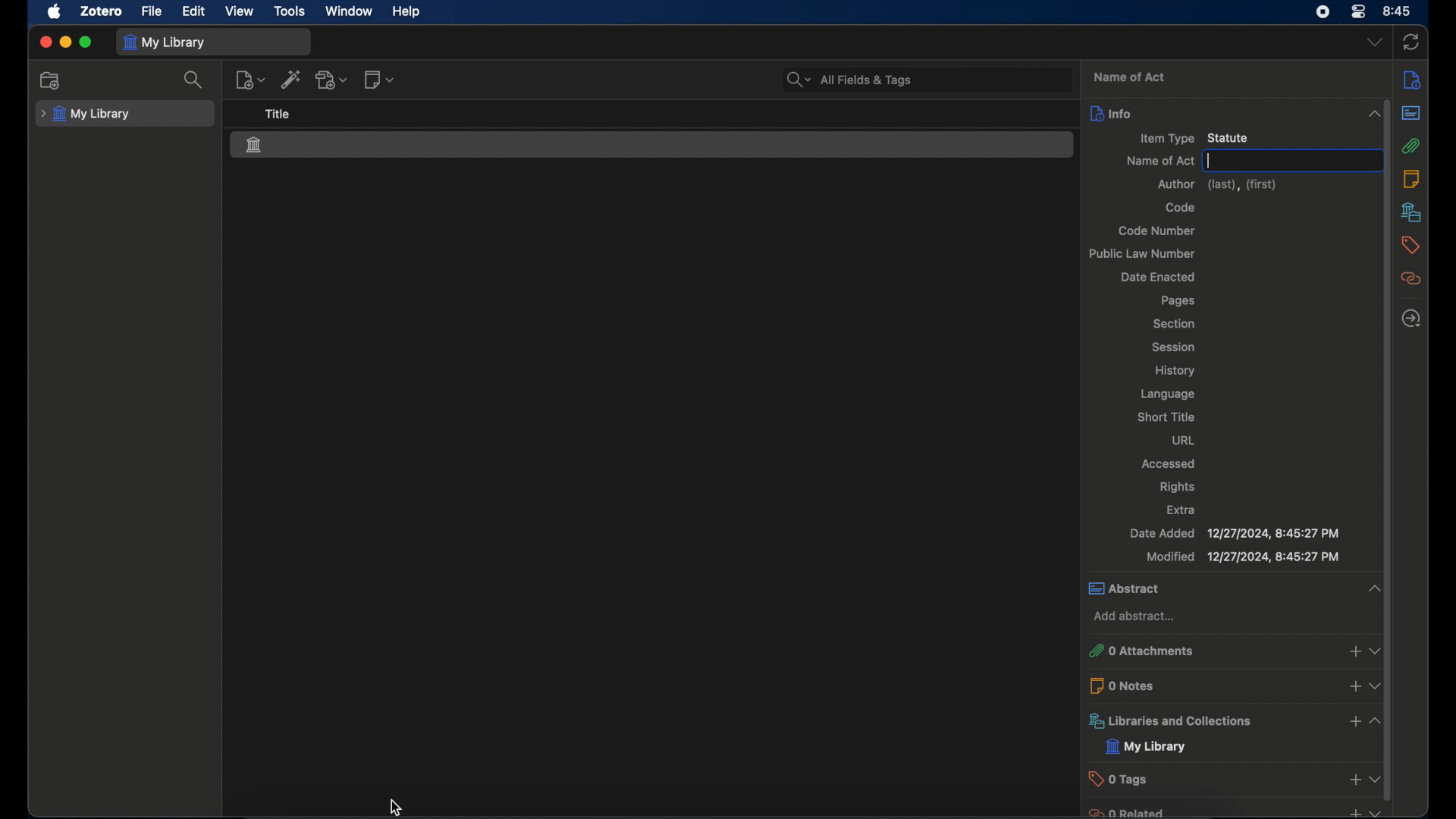  I want to click on code number, so click(1156, 231).